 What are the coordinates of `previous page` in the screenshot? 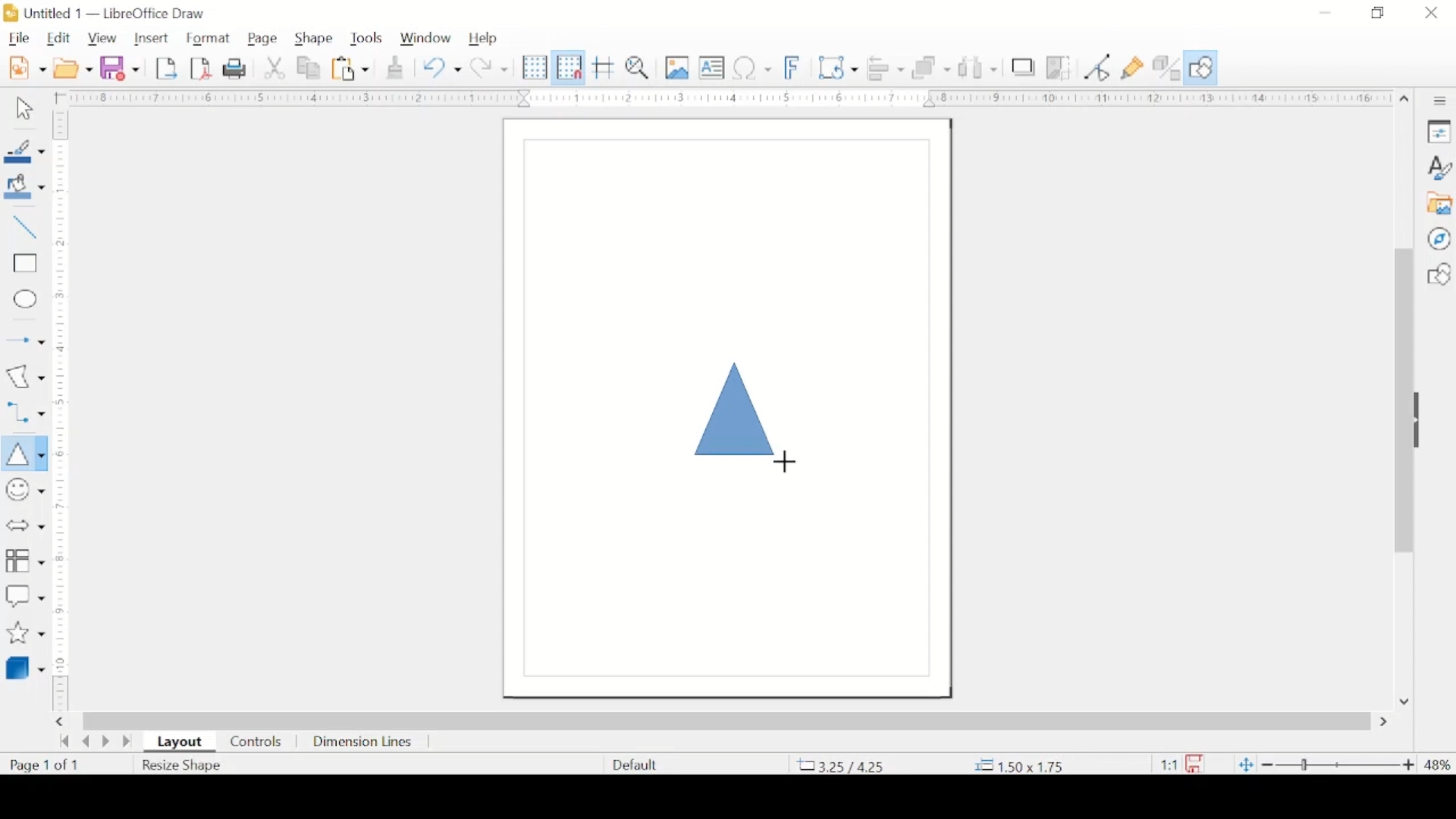 It's located at (86, 742).